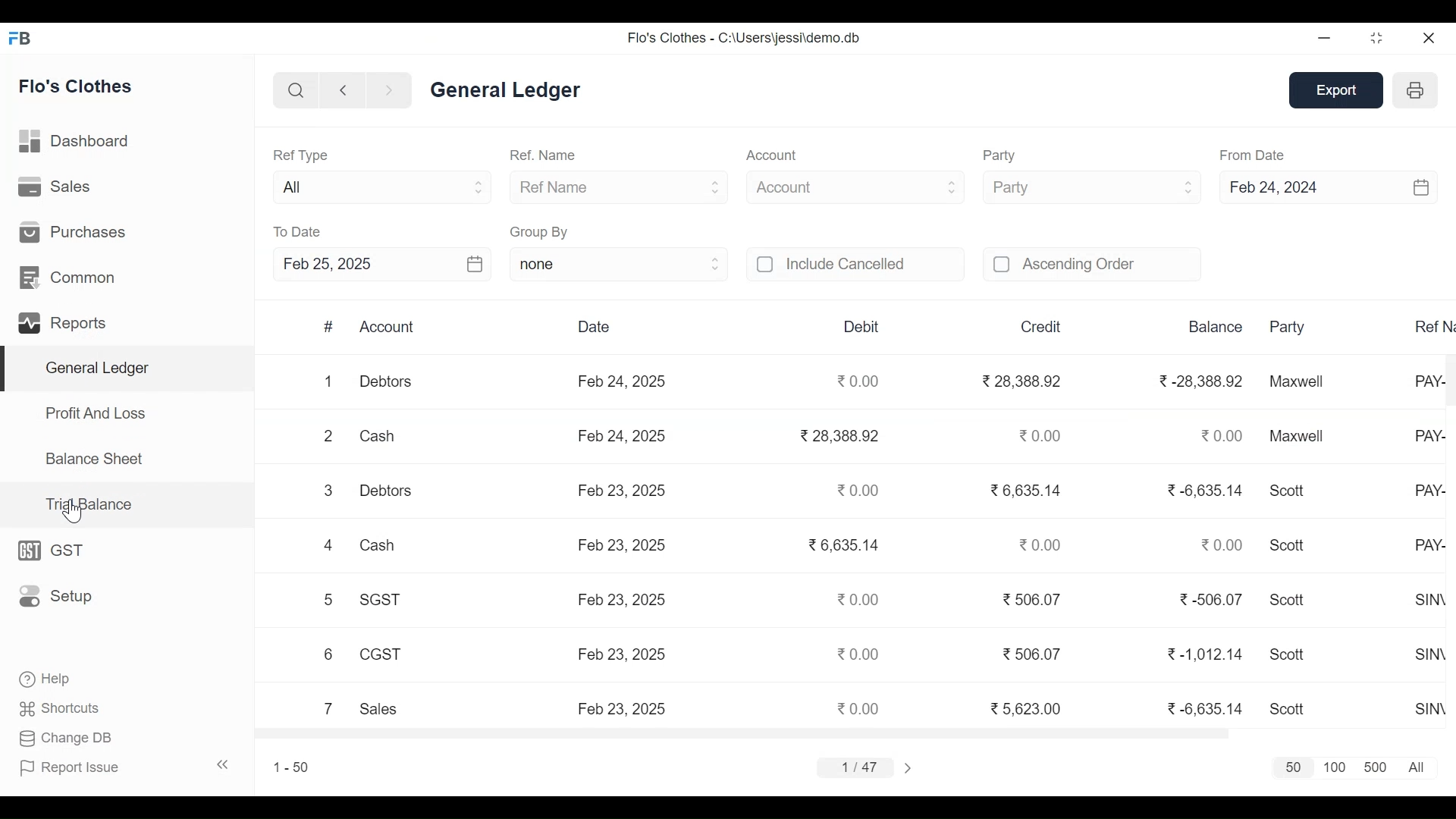 This screenshot has width=1456, height=819. What do you see at coordinates (1040, 328) in the screenshot?
I see `Credit` at bounding box center [1040, 328].